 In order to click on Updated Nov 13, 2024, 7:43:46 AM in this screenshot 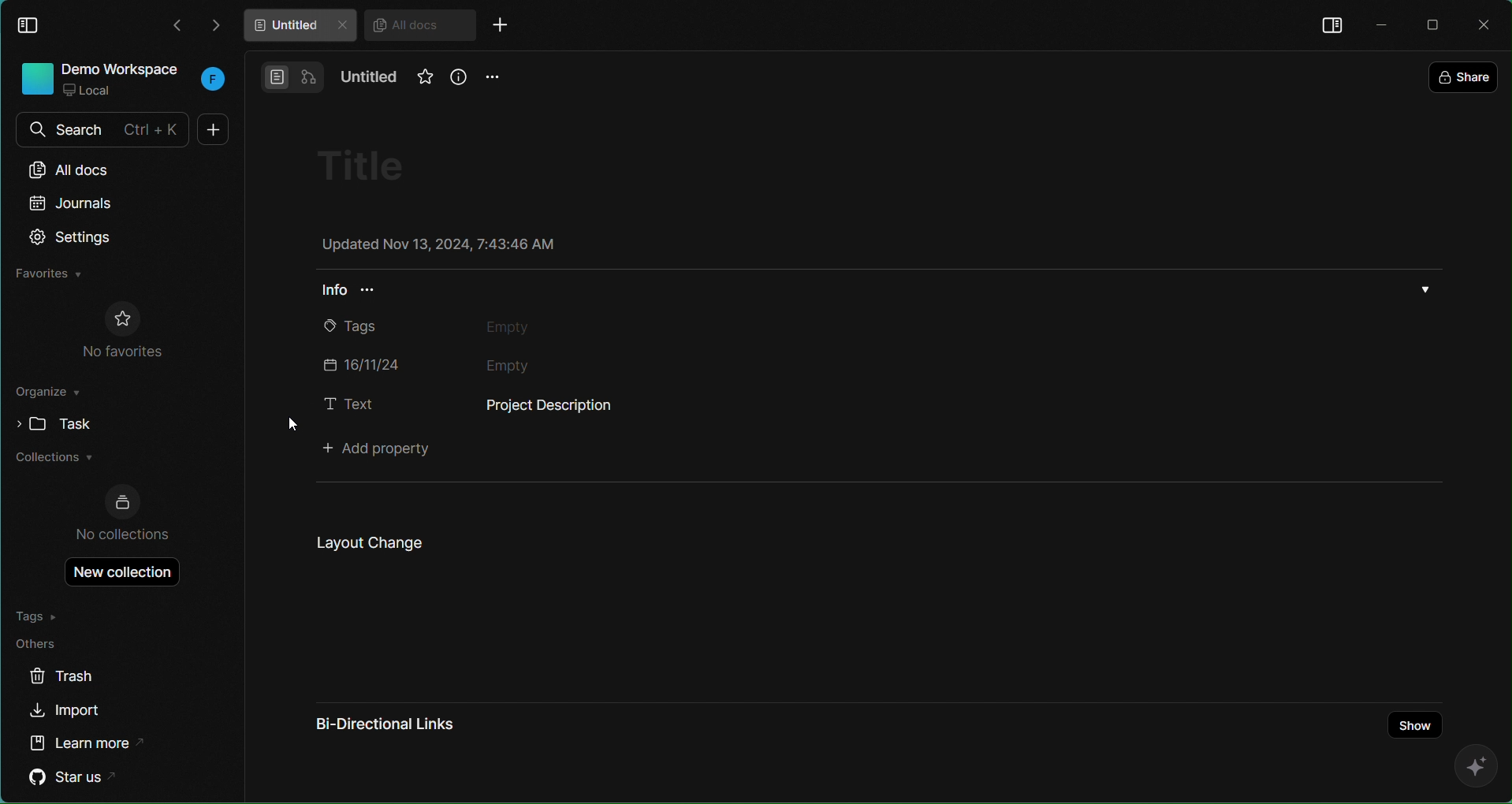, I will do `click(436, 246)`.